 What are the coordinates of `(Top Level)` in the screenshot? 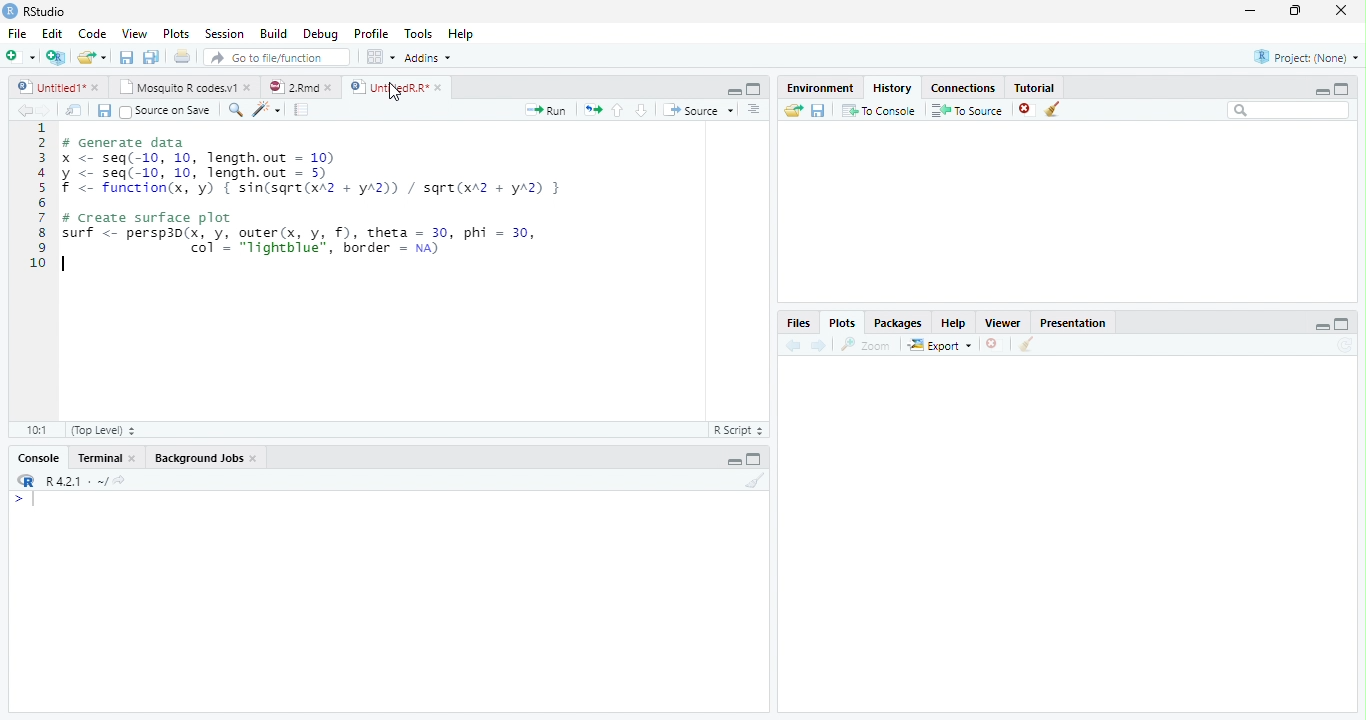 It's located at (105, 430).